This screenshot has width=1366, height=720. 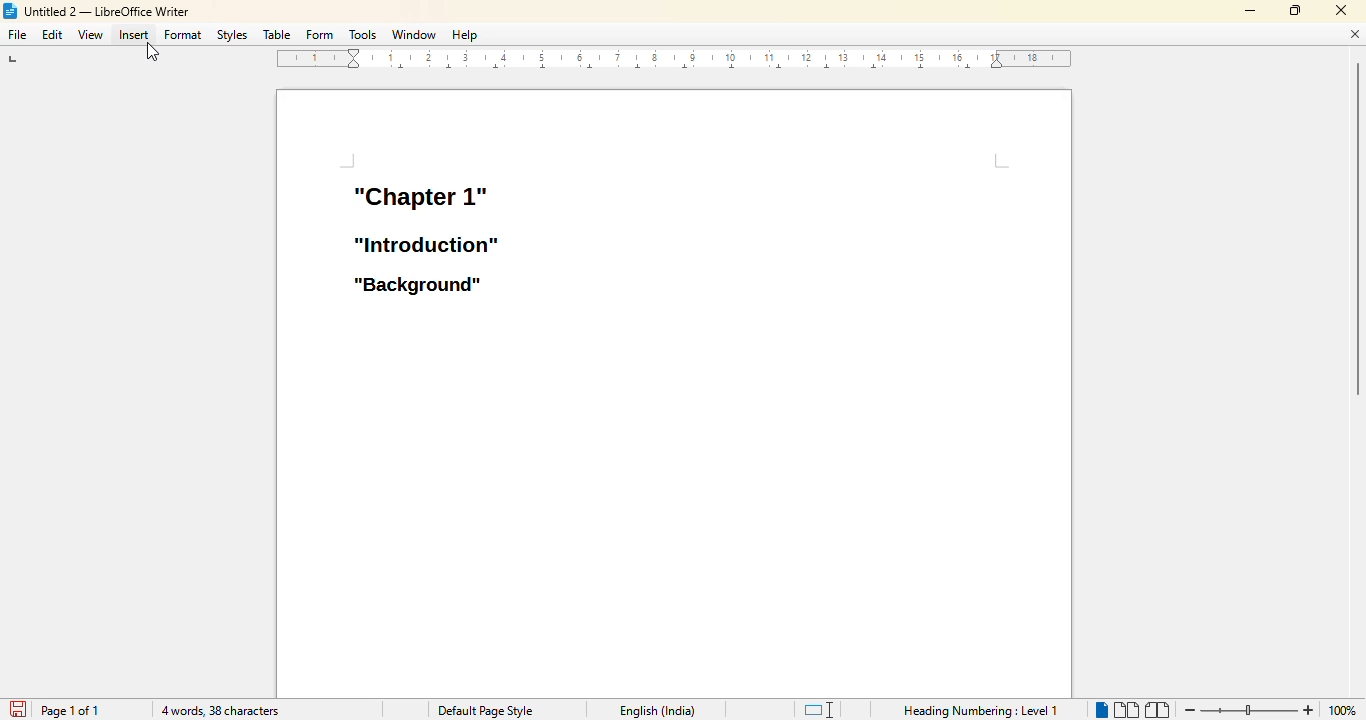 What do you see at coordinates (17, 34) in the screenshot?
I see `file` at bounding box center [17, 34].